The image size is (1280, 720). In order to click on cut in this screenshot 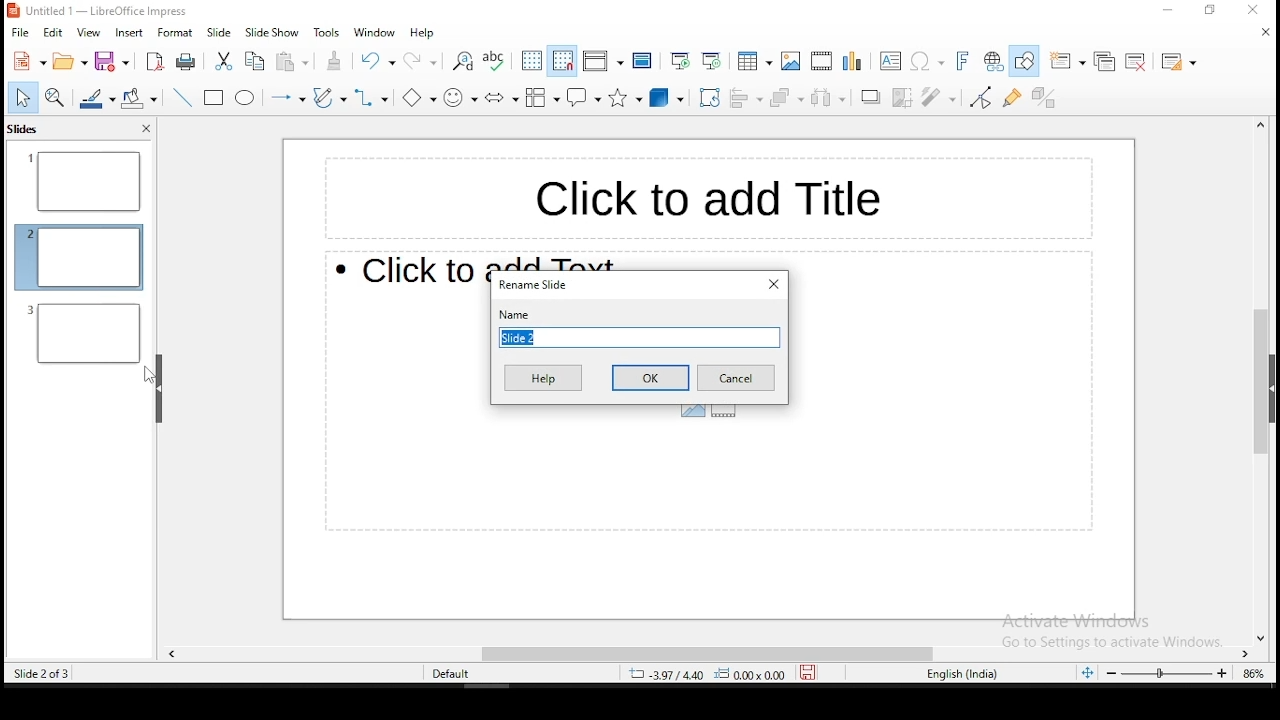, I will do `click(224, 60)`.